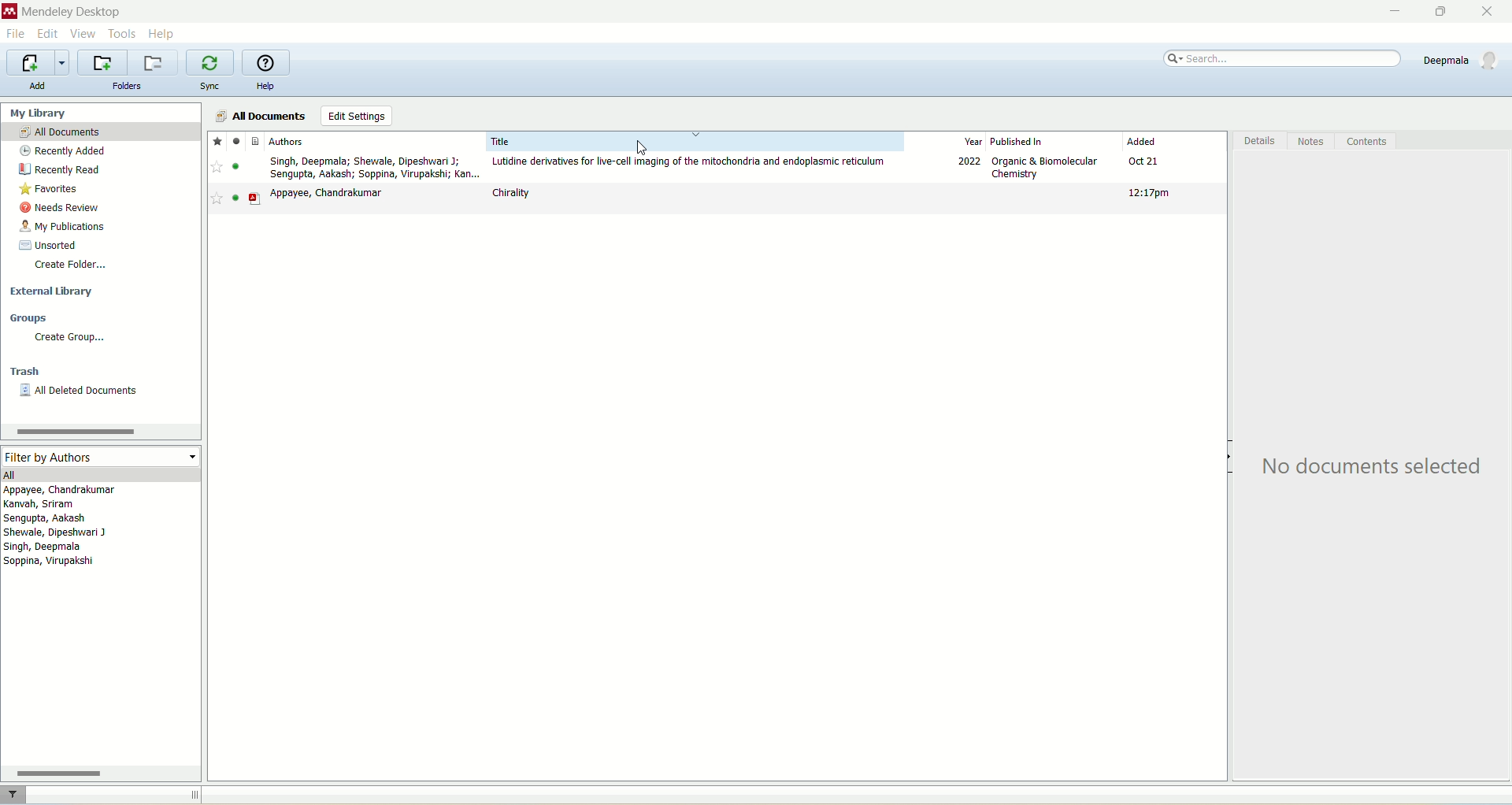 The width and height of the screenshot is (1512, 805). What do you see at coordinates (1373, 467) in the screenshot?
I see `text` at bounding box center [1373, 467].